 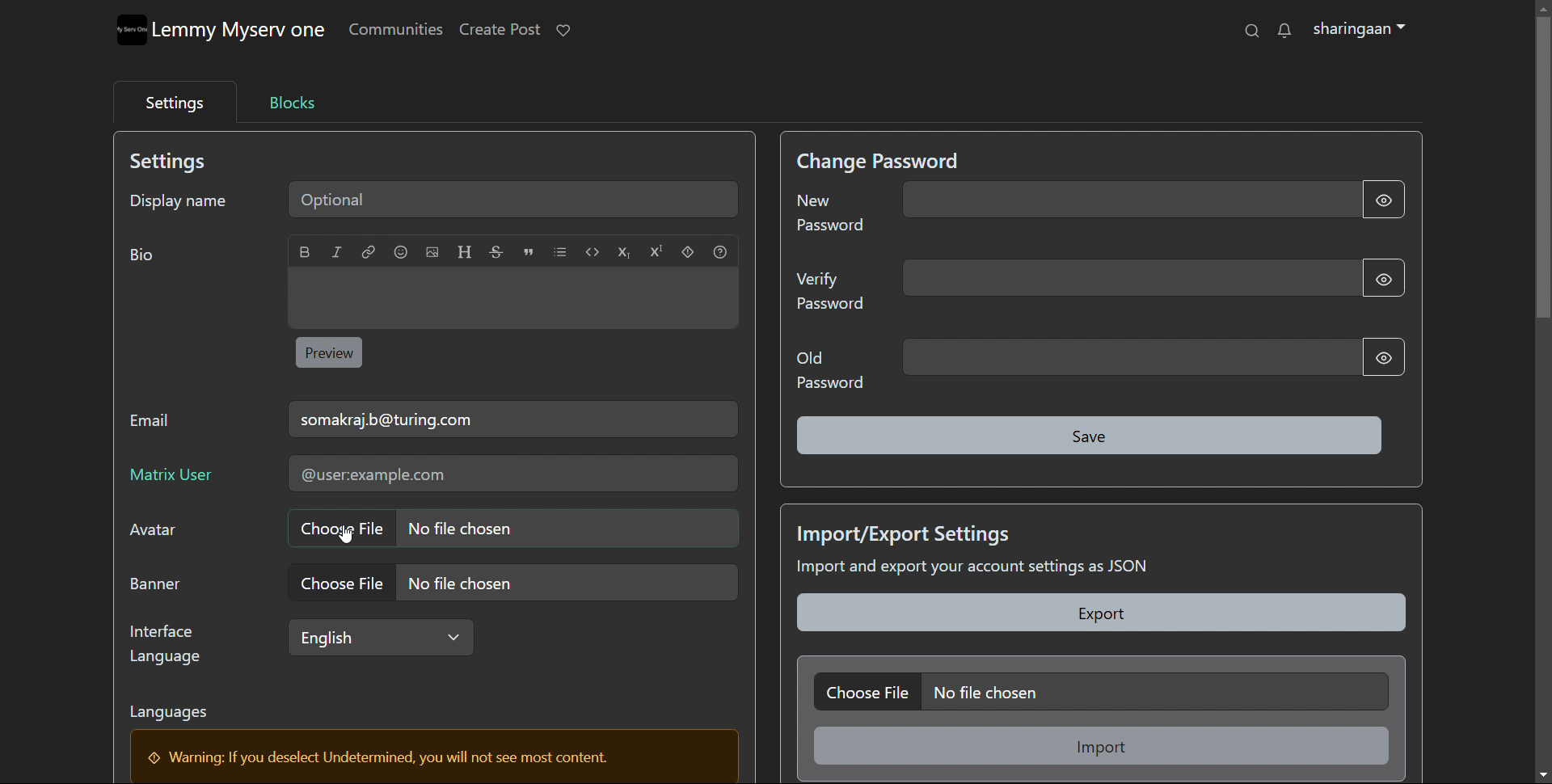 I want to click on matrix user, so click(x=511, y=474).